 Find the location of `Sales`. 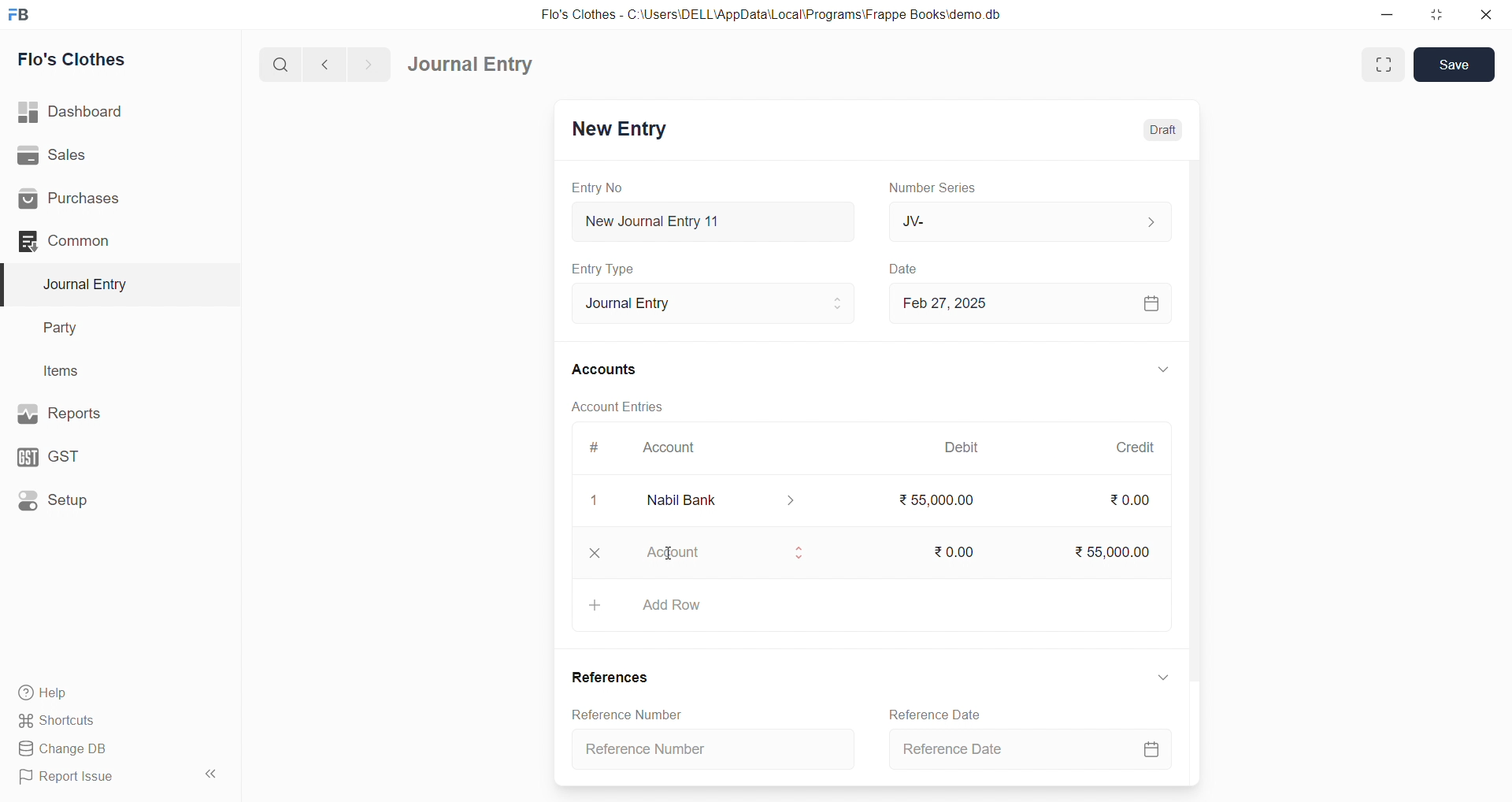

Sales is located at coordinates (94, 154).